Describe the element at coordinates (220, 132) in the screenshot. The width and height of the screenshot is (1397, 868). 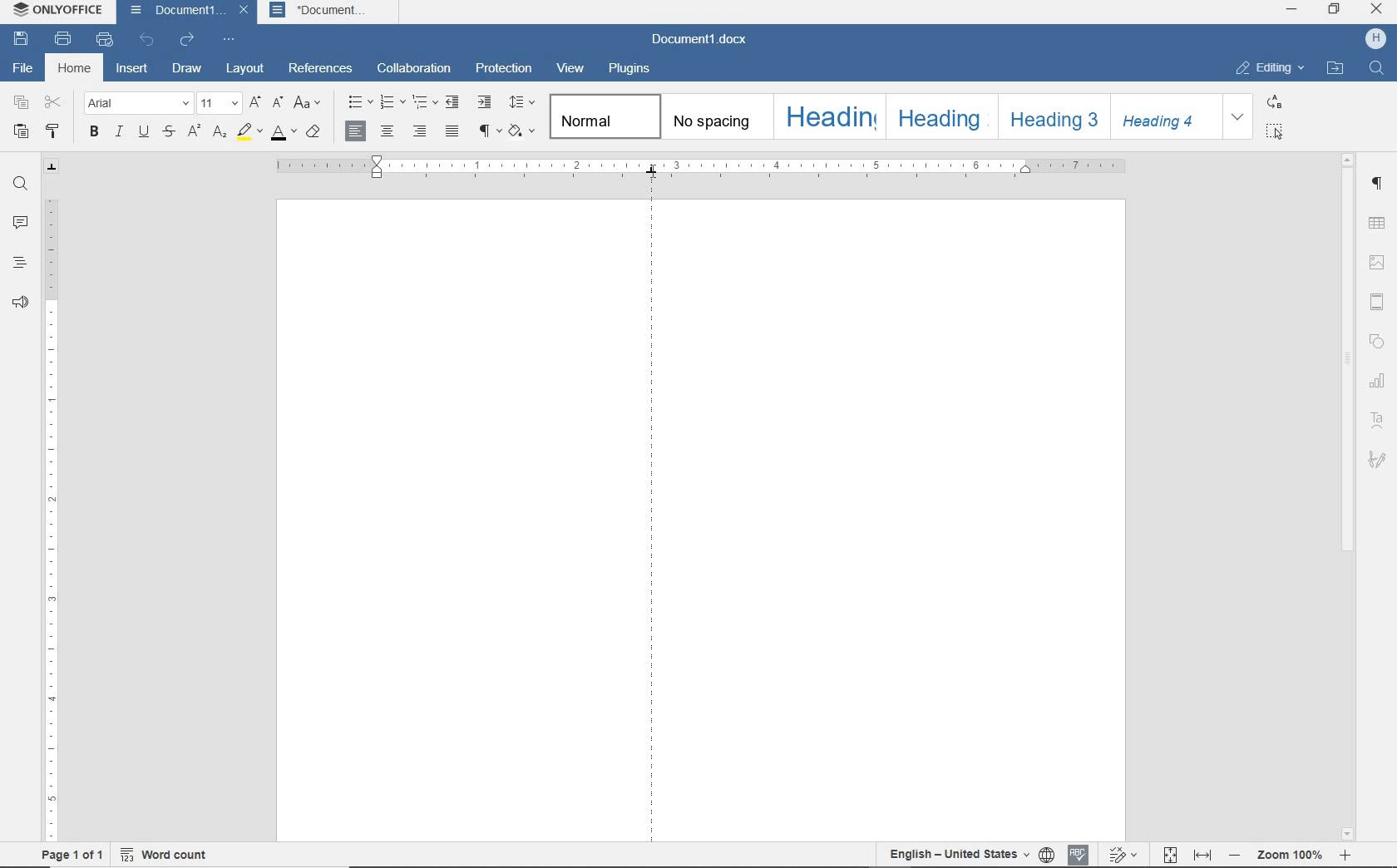
I see `SUBSCRIPT` at that location.